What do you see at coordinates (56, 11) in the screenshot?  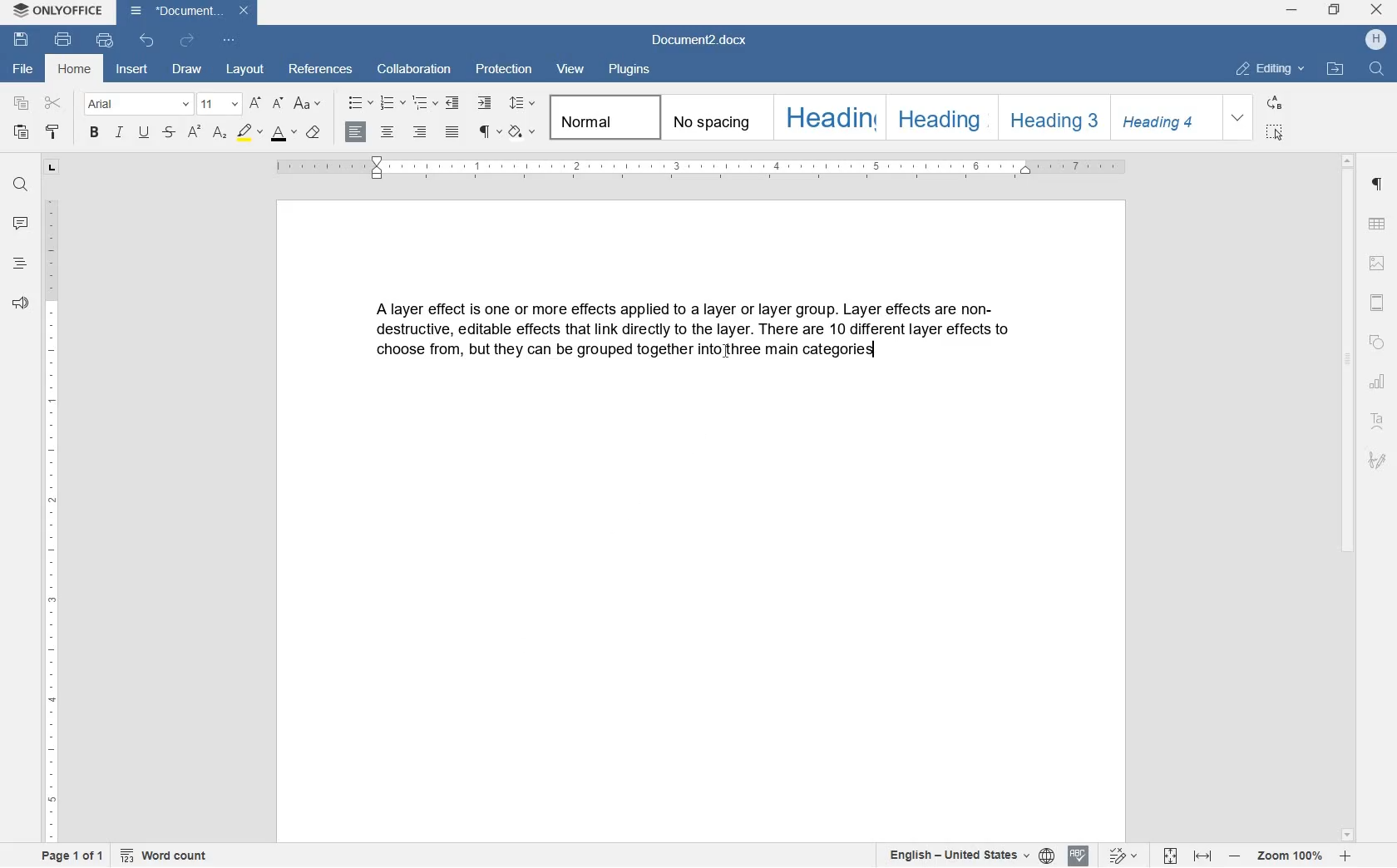 I see `system name` at bounding box center [56, 11].